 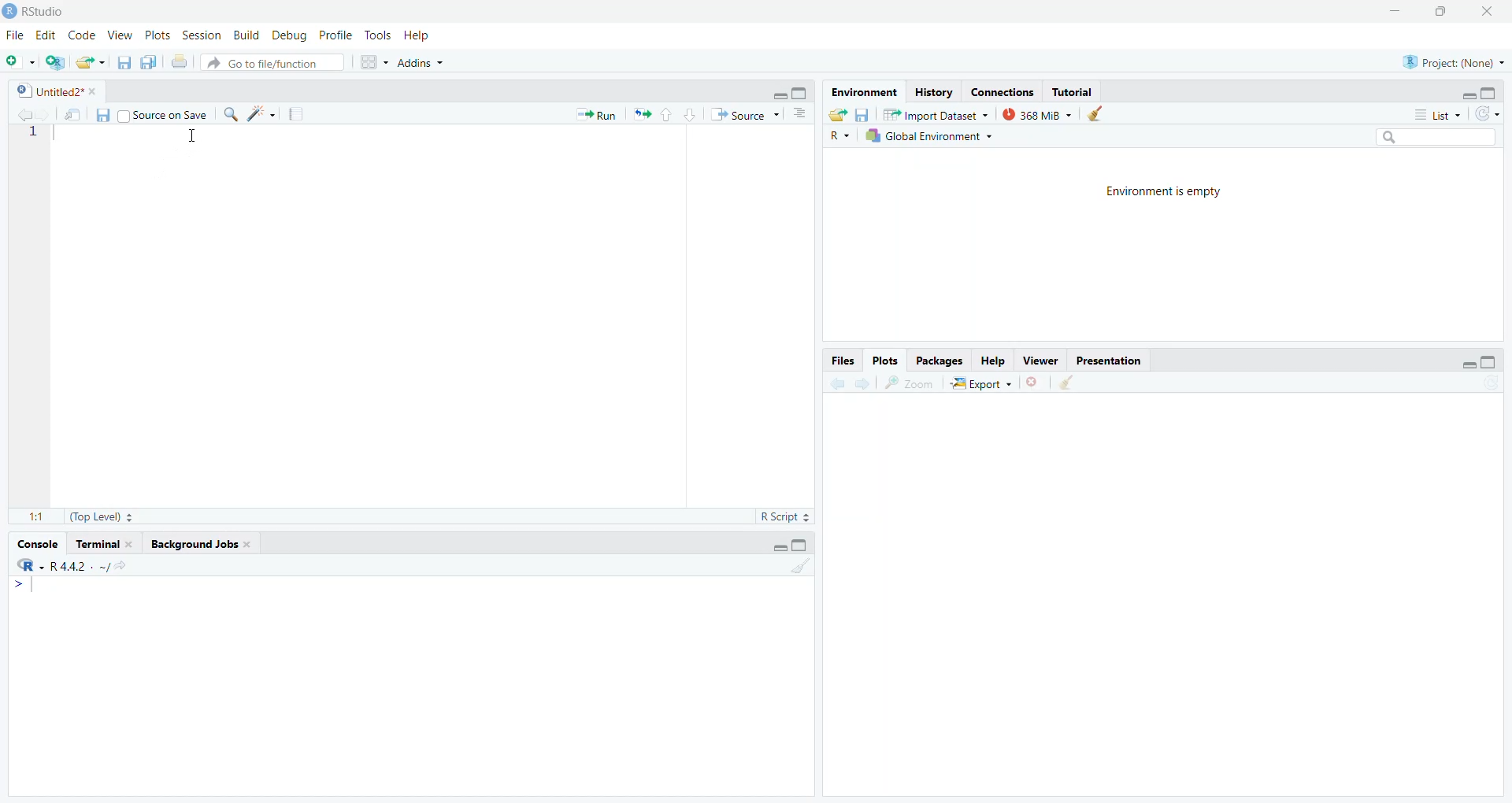 What do you see at coordinates (18, 114) in the screenshot?
I see `back` at bounding box center [18, 114].